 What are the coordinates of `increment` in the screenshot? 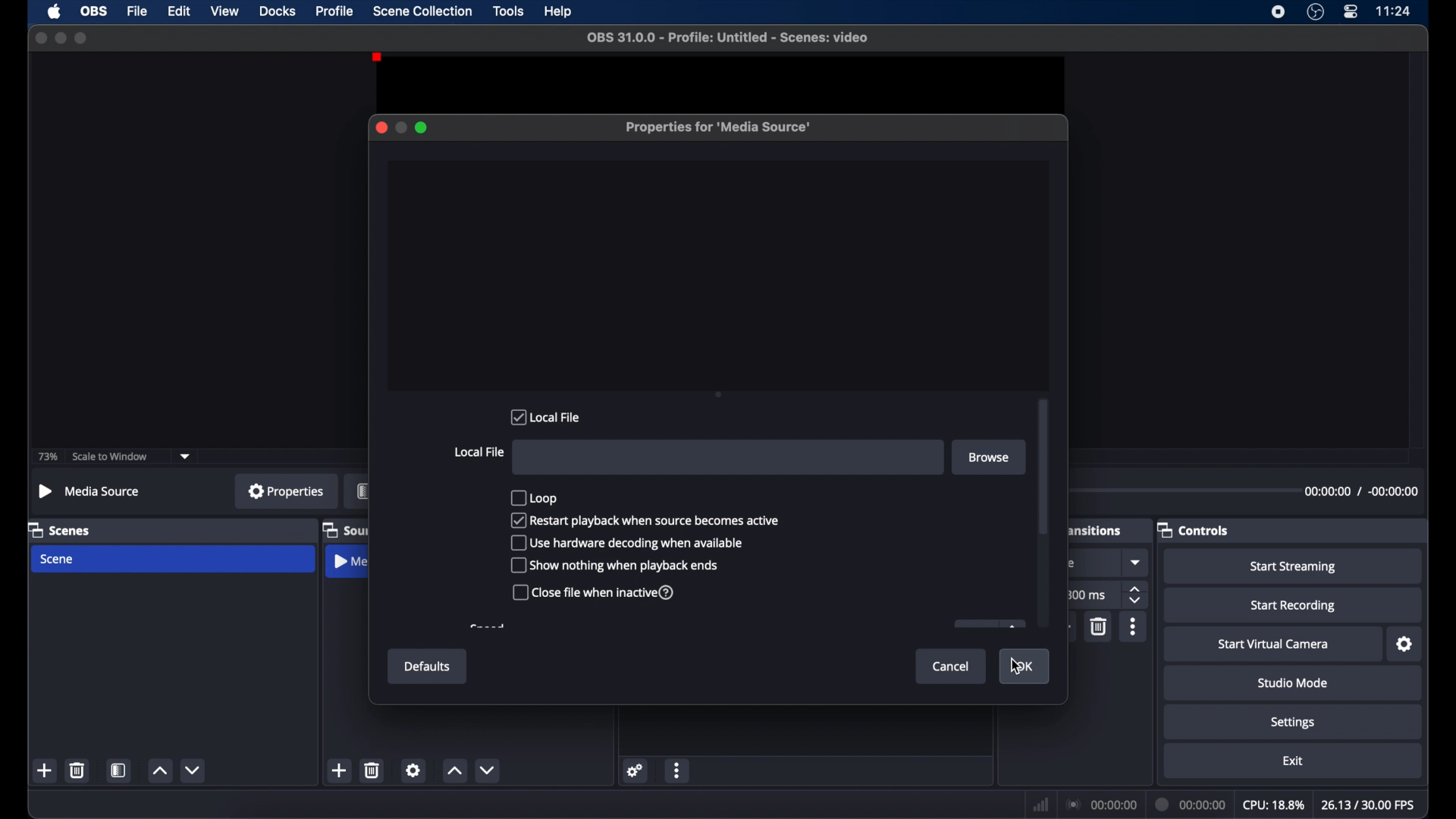 It's located at (160, 772).